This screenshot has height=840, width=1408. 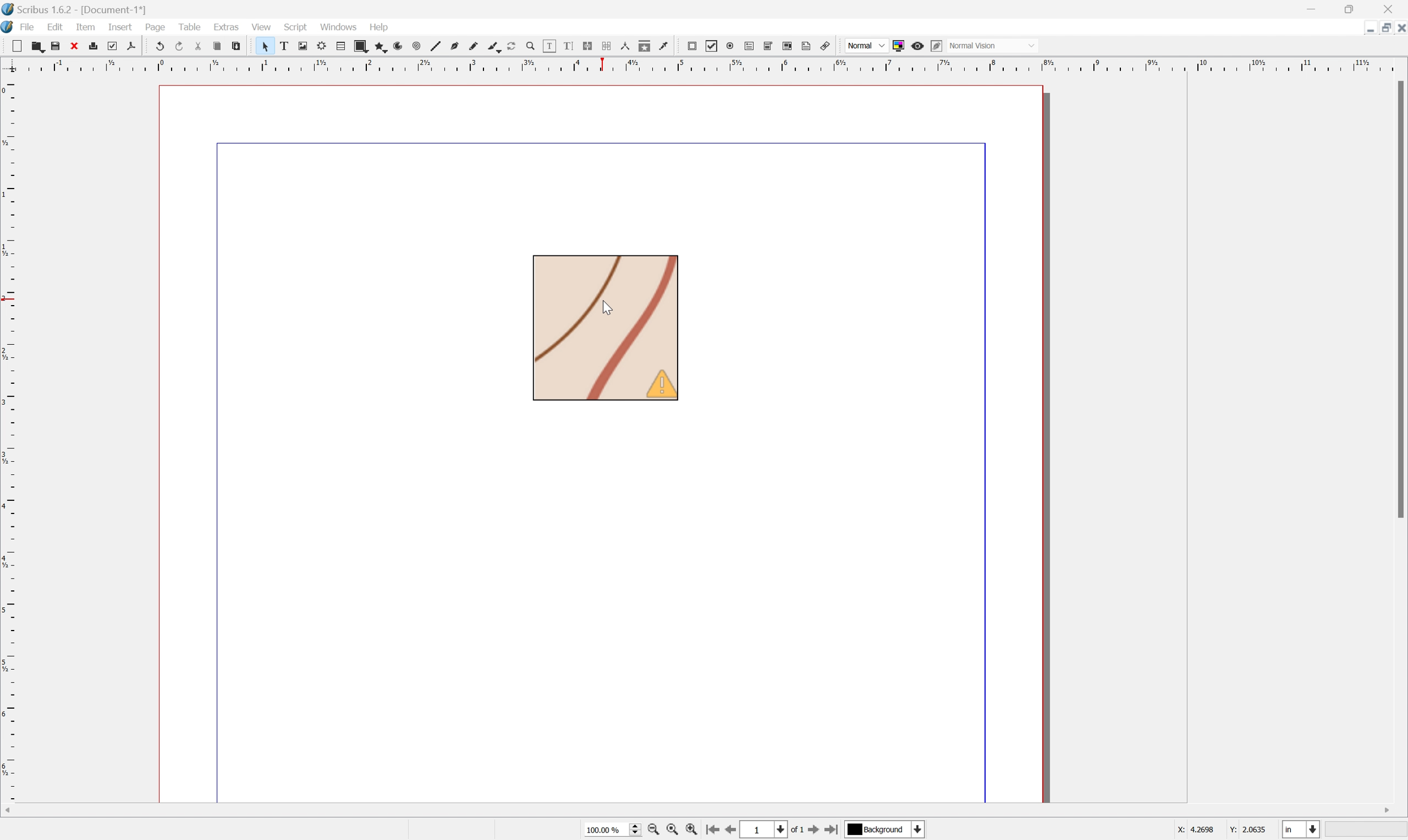 I want to click on Close, so click(x=76, y=46).